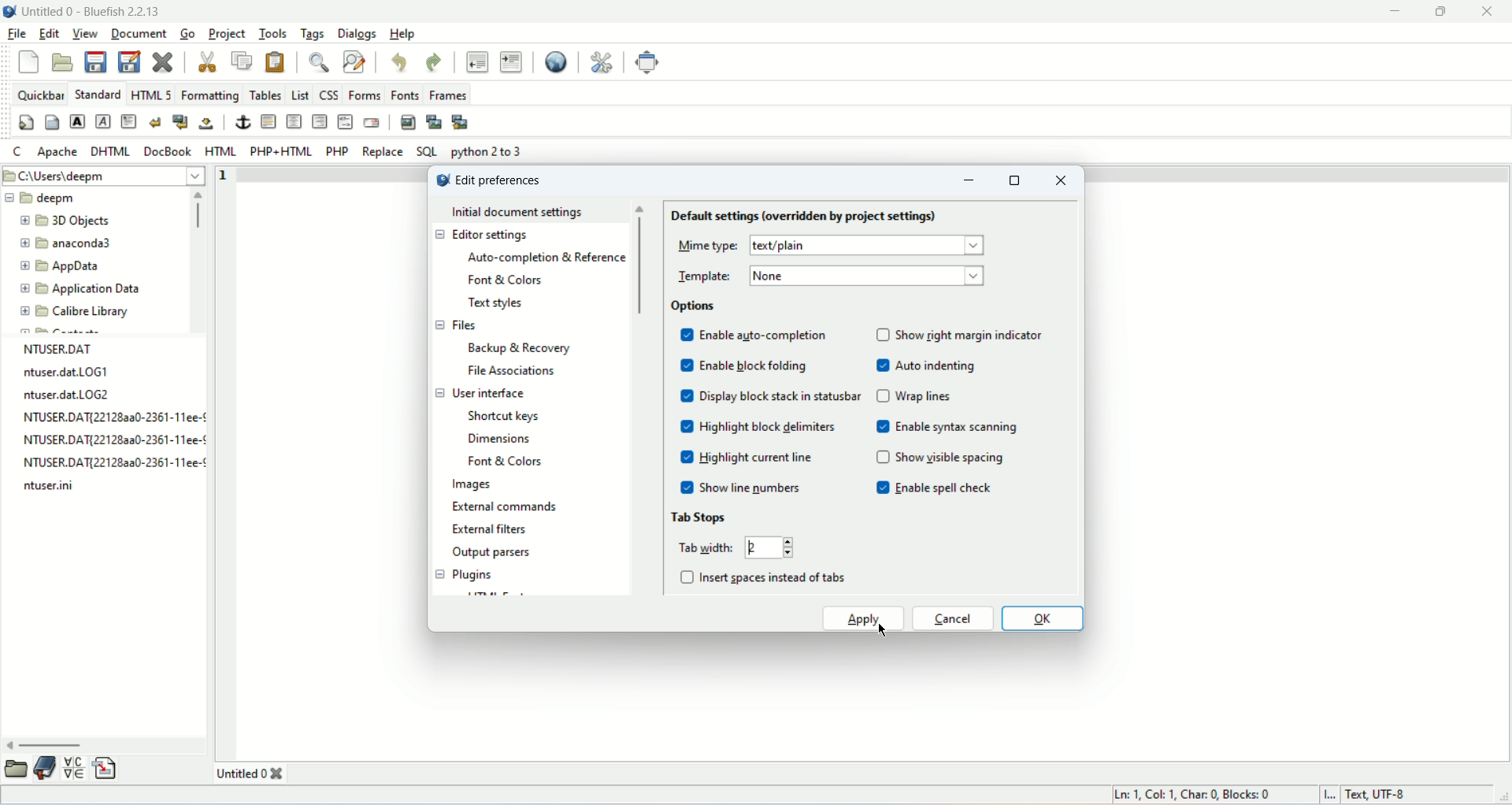  I want to click on ok, so click(1043, 618).